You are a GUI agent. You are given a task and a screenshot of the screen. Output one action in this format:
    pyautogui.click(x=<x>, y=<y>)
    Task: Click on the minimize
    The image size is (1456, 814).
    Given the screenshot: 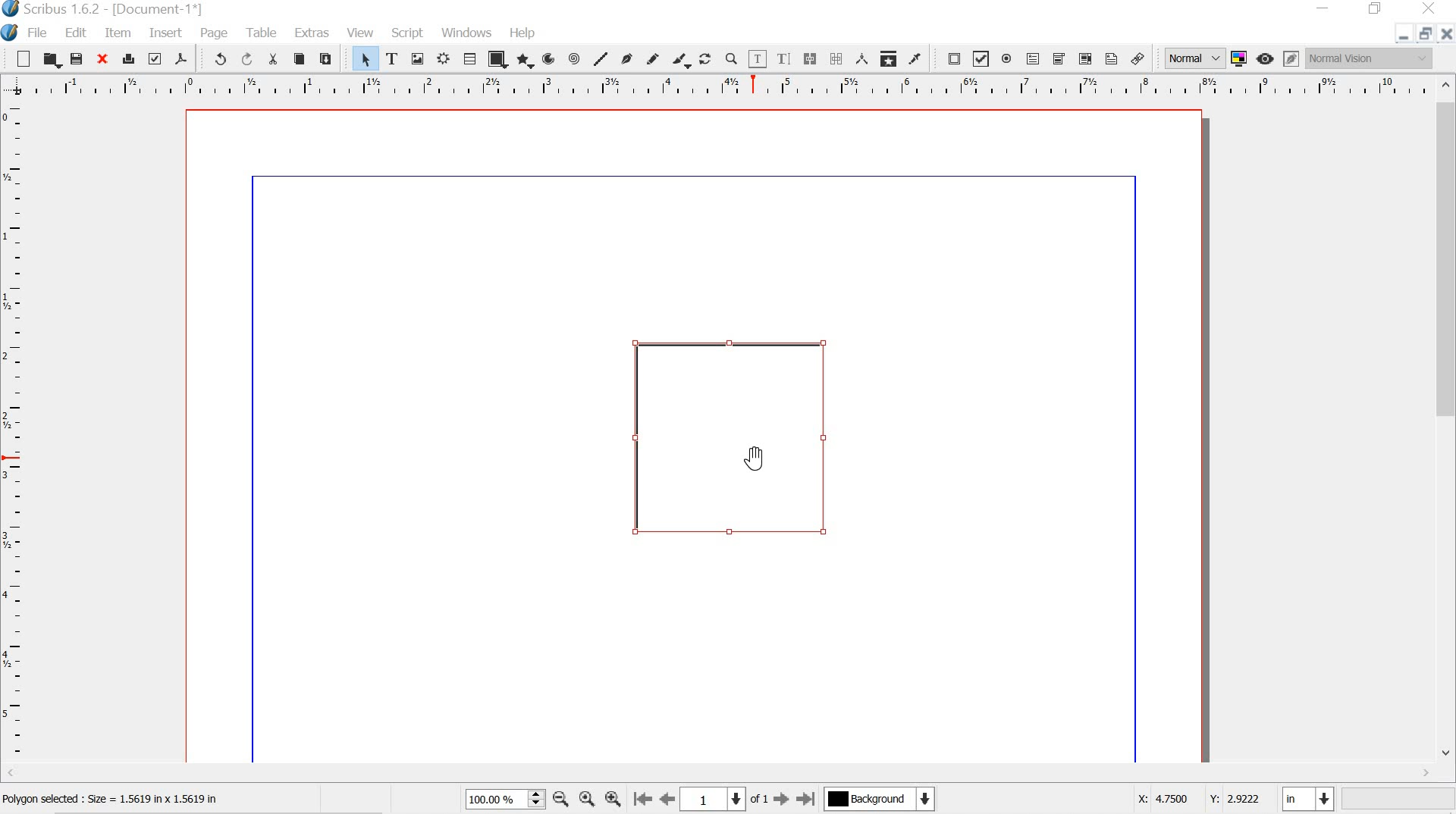 What is the action you would take?
    pyautogui.click(x=1401, y=36)
    